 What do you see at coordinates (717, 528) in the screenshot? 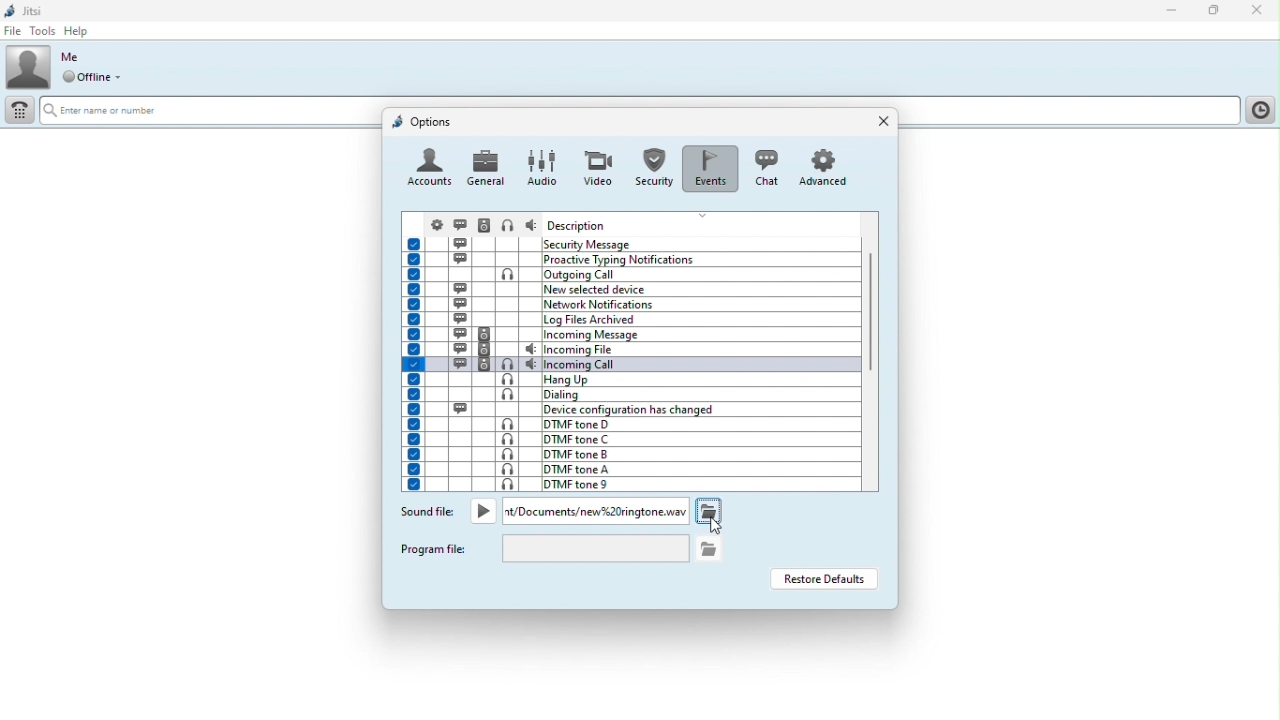
I see `cursor` at bounding box center [717, 528].